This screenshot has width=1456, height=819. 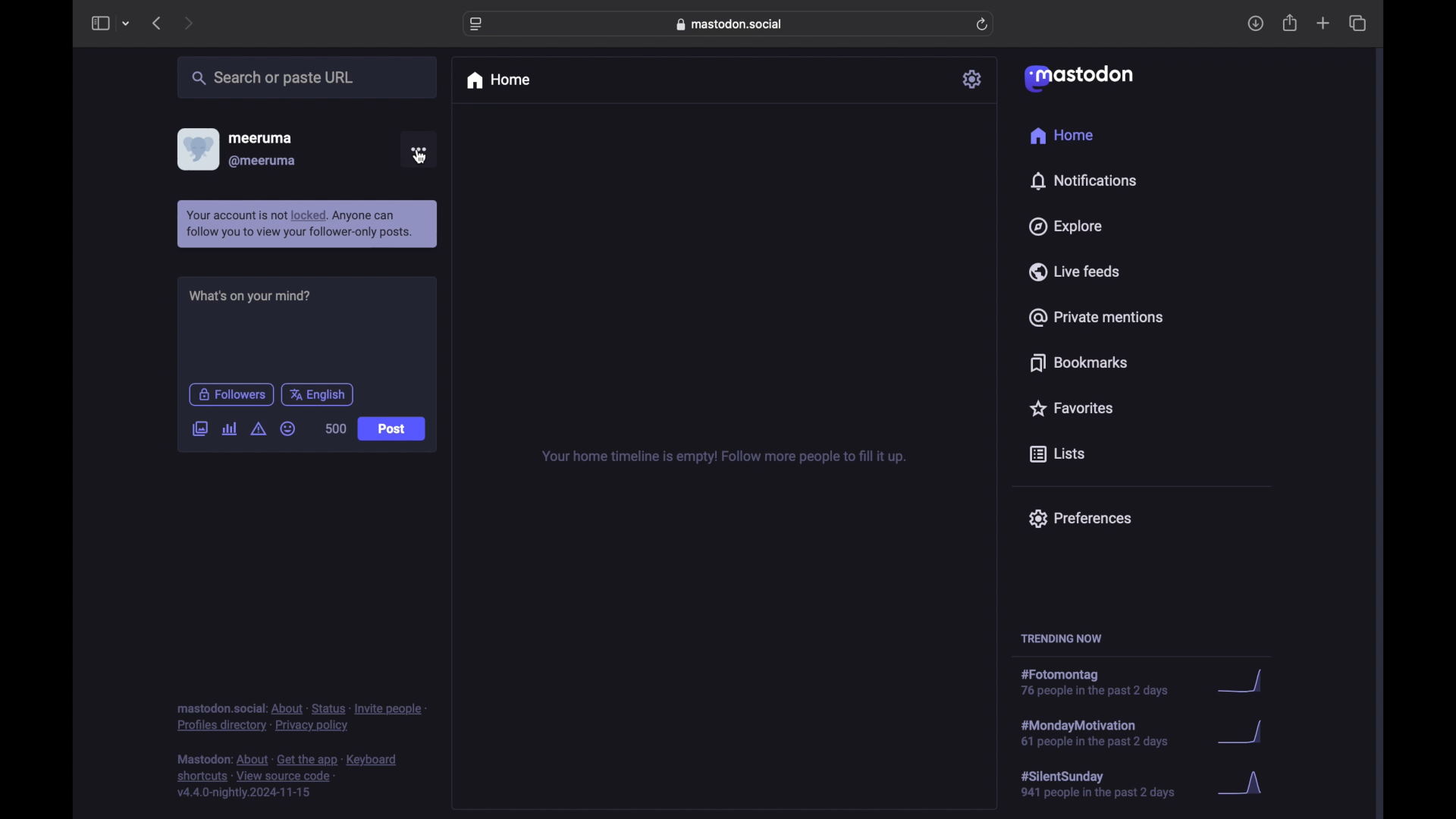 What do you see at coordinates (391, 428) in the screenshot?
I see `post` at bounding box center [391, 428].